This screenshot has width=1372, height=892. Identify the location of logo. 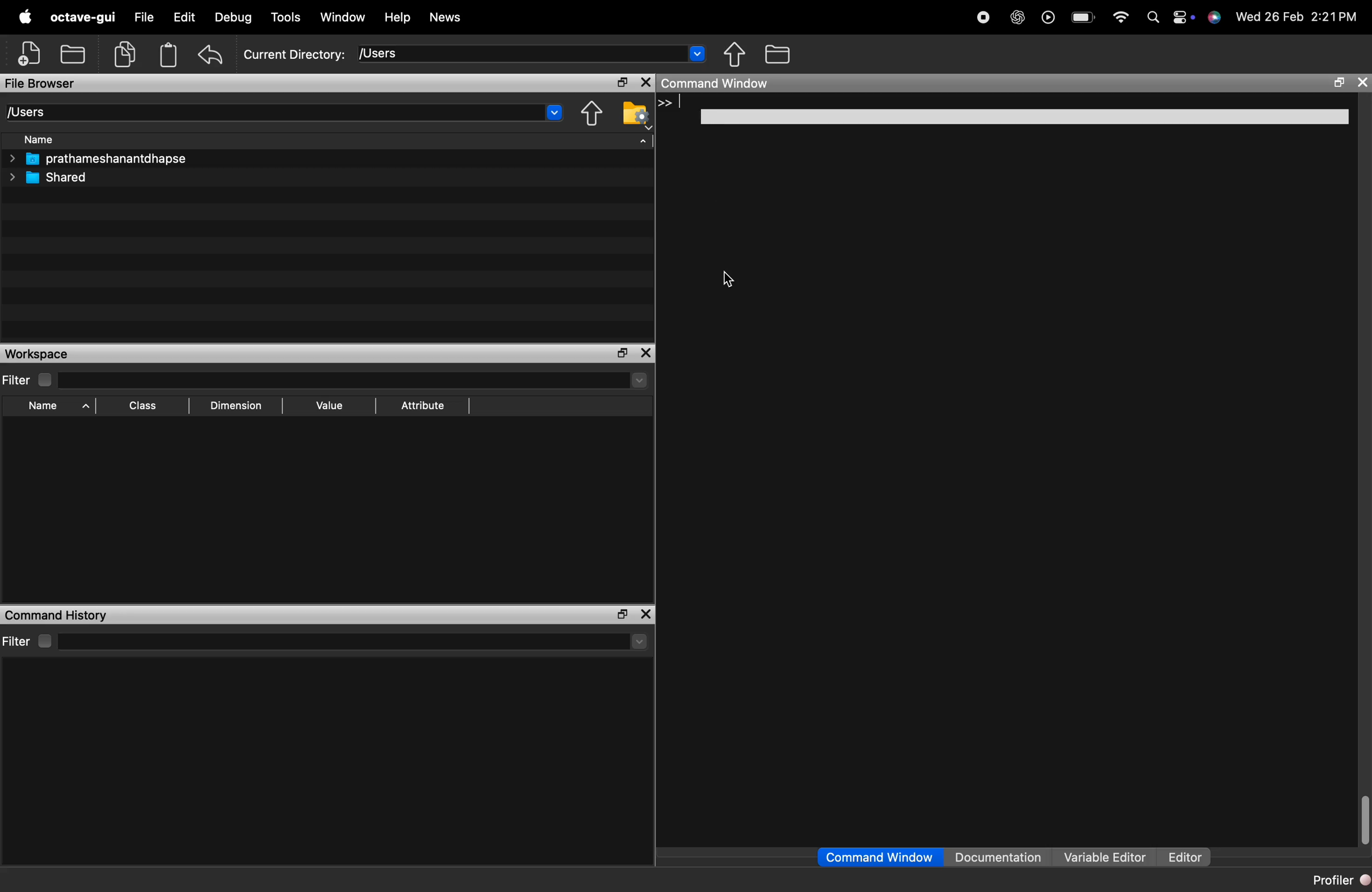
(22, 16).